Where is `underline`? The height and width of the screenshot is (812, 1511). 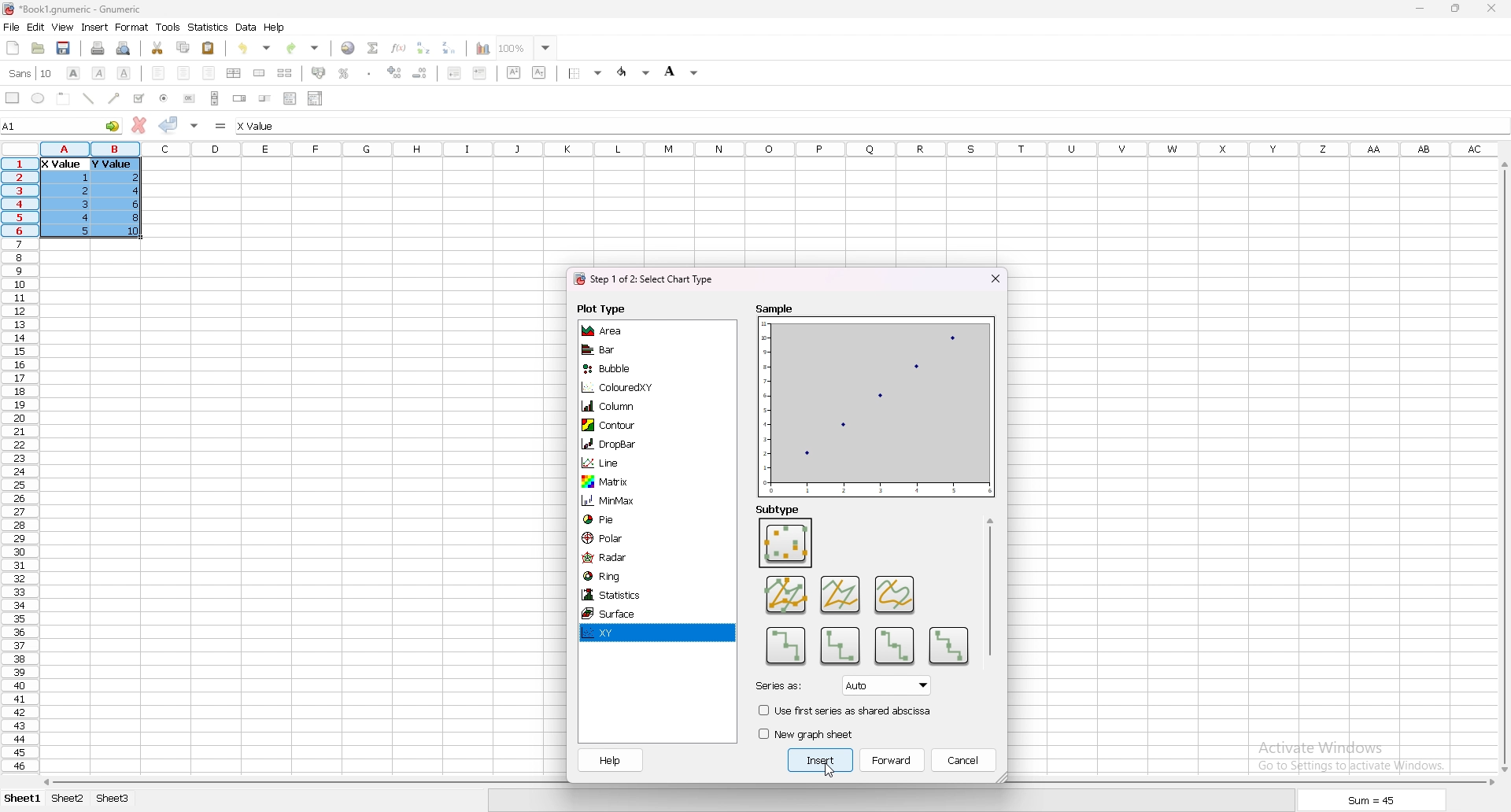
underline is located at coordinates (124, 73).